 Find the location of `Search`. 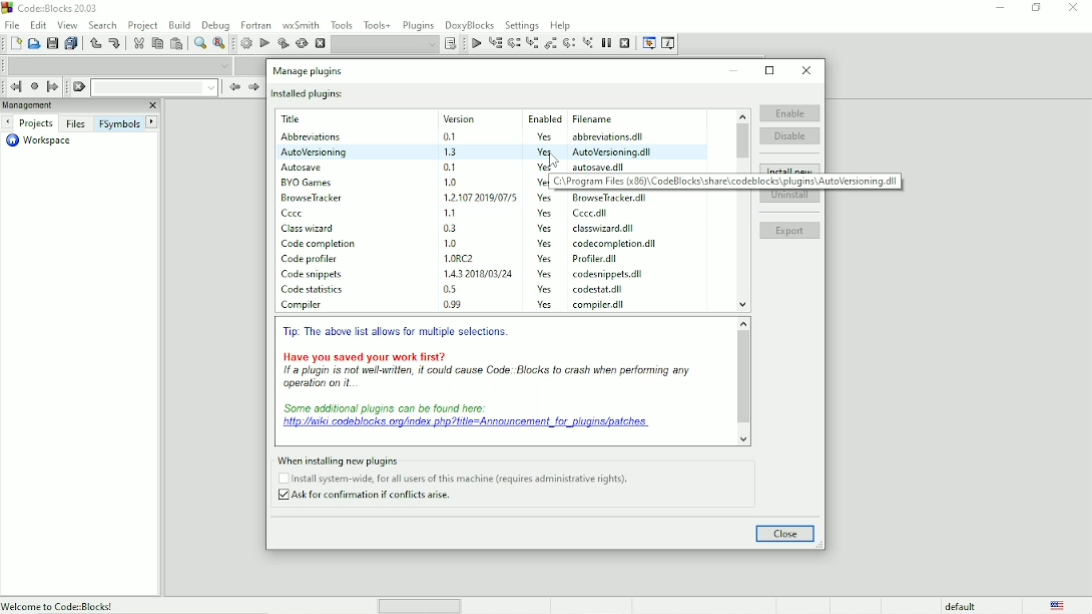

Search is located at coordinates (103, 24).